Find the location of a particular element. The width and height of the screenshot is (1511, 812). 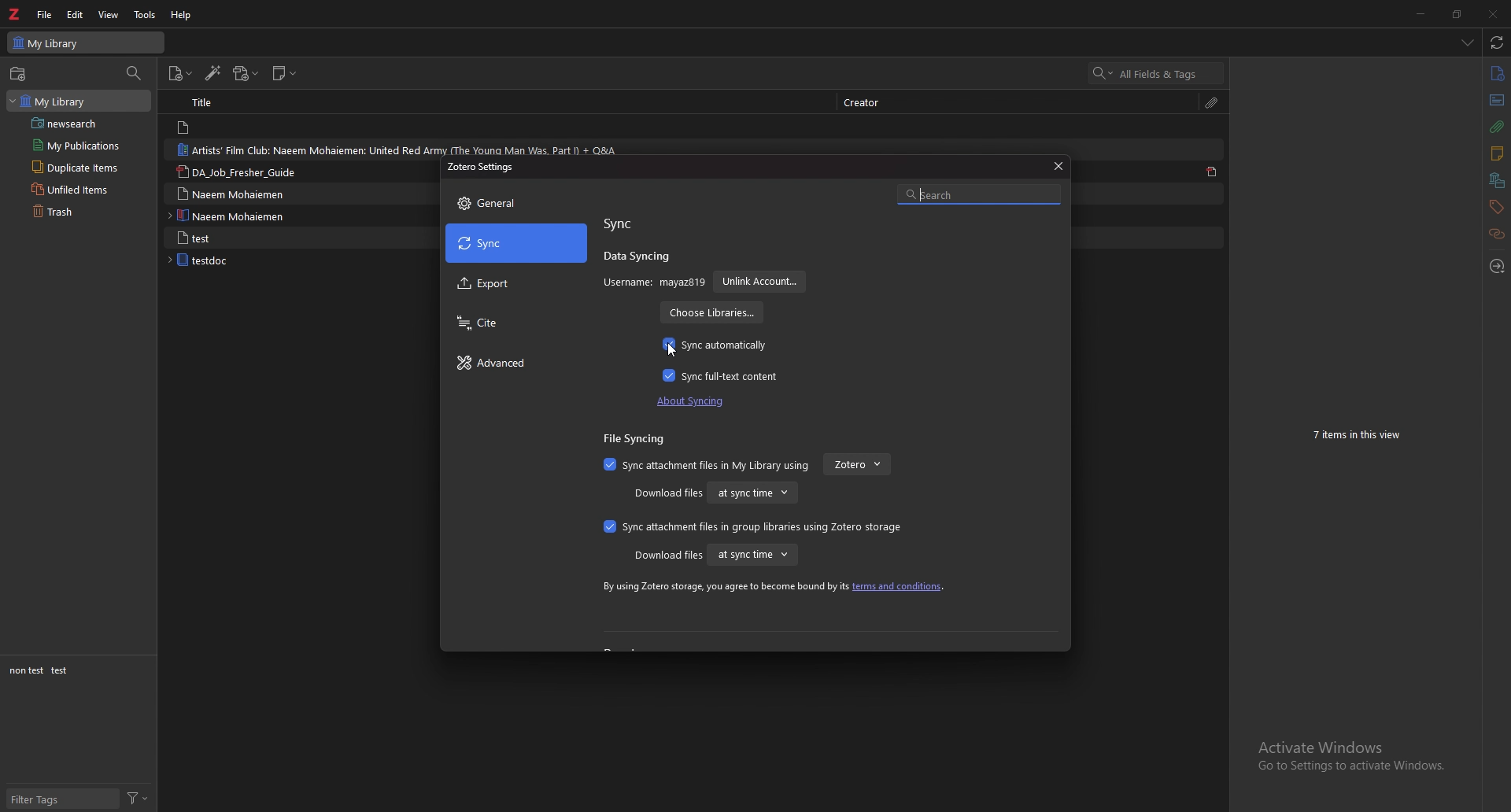

pdf is located at coordinates (1214, 173).